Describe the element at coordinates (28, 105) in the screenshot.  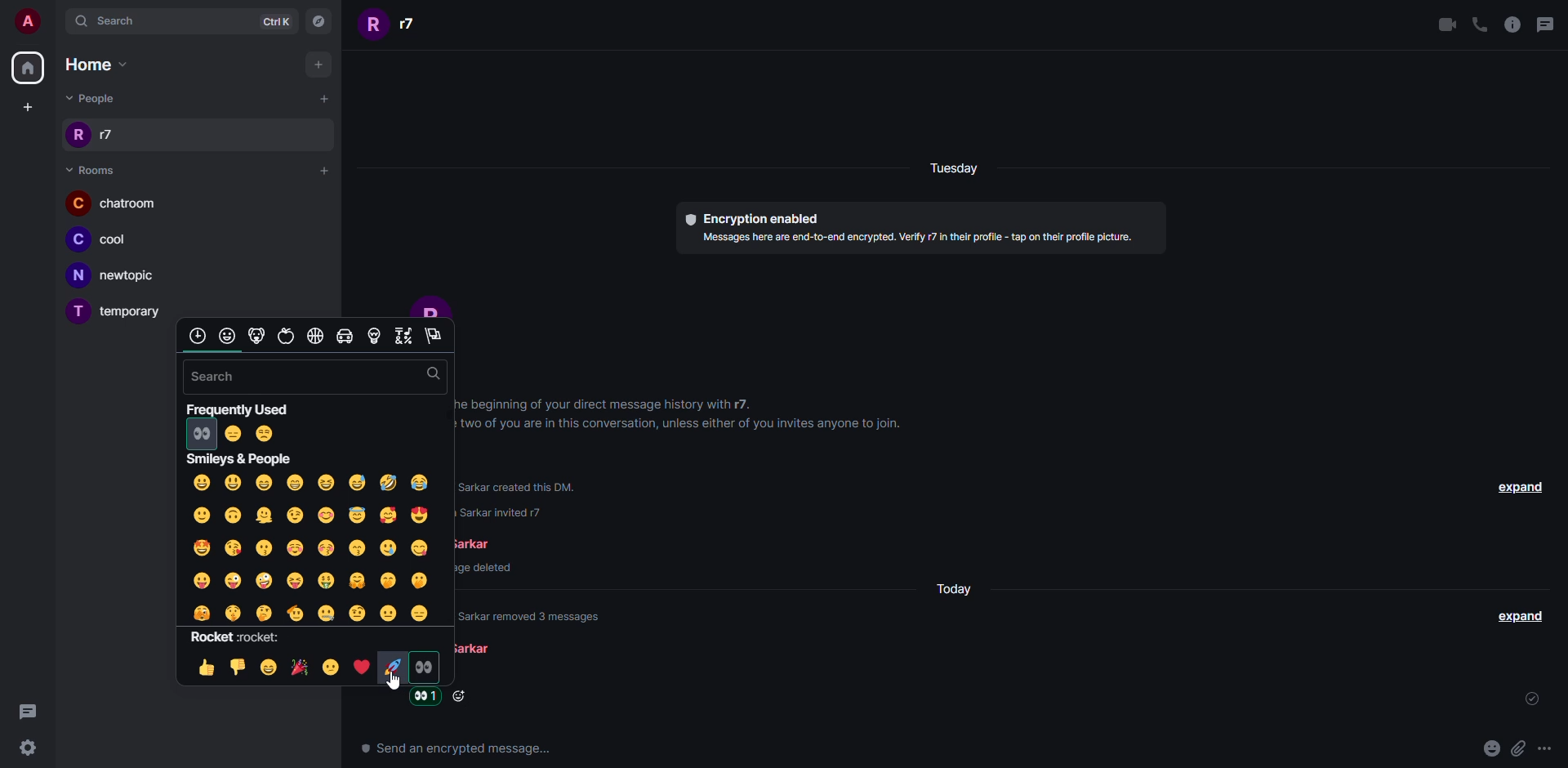
I see `create space` at that location.